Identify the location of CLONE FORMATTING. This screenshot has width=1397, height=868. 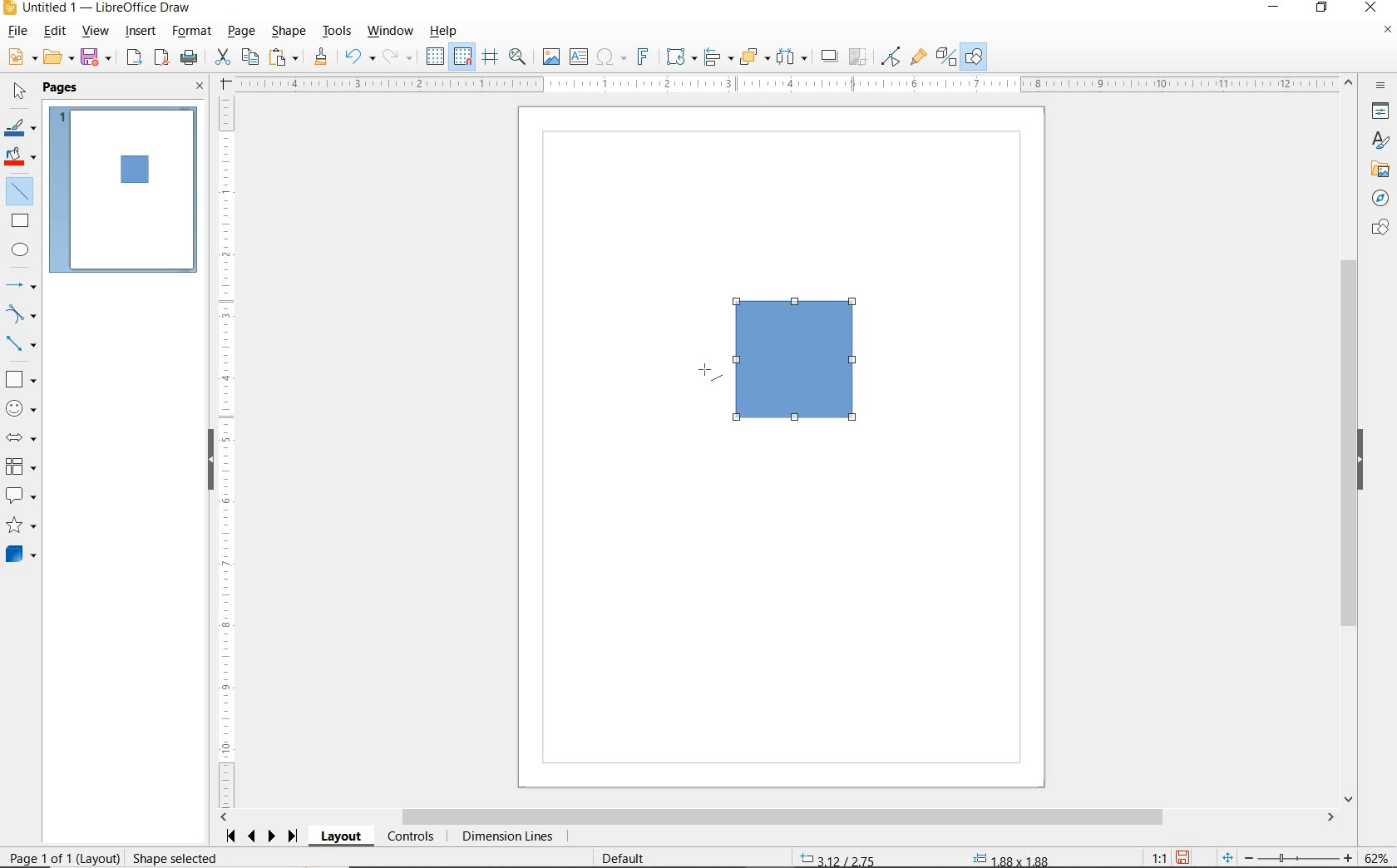
(320, 57).